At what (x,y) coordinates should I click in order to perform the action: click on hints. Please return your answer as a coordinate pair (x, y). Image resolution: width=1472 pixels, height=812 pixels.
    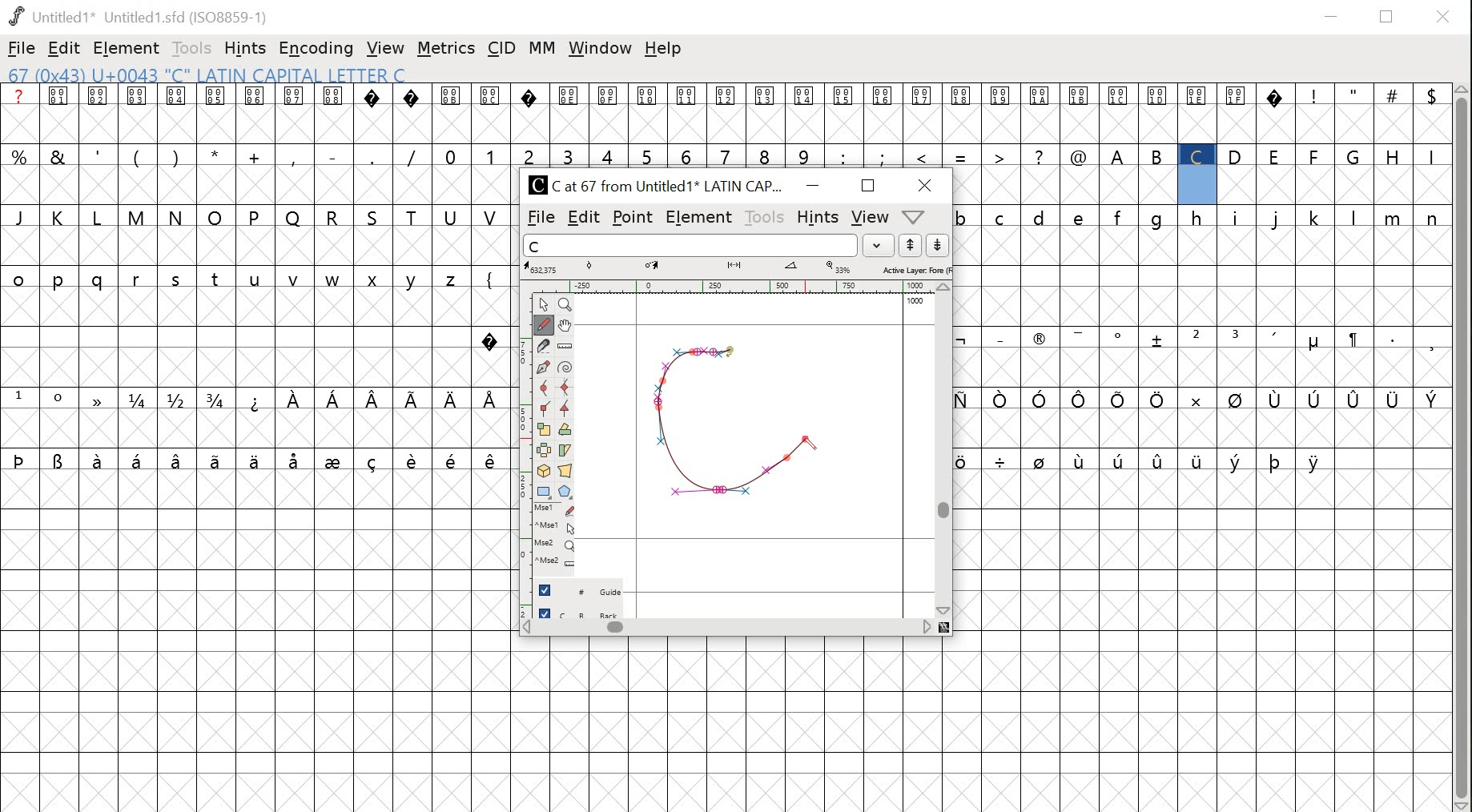
    Looking at the image, I should click on (245, 48).